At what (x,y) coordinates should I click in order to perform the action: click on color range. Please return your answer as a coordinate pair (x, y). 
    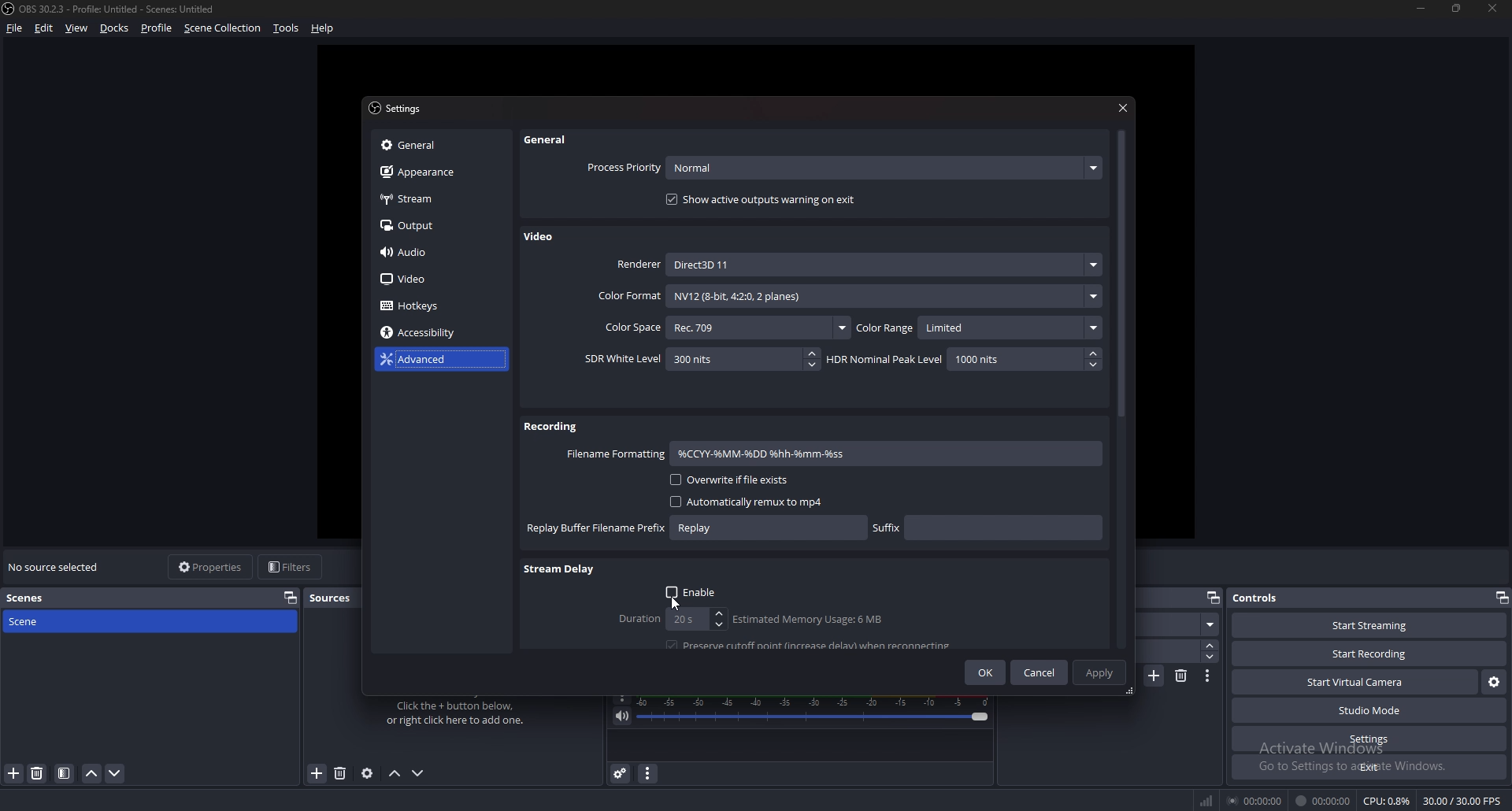
    Looking at the image, I should click on (980, 328).